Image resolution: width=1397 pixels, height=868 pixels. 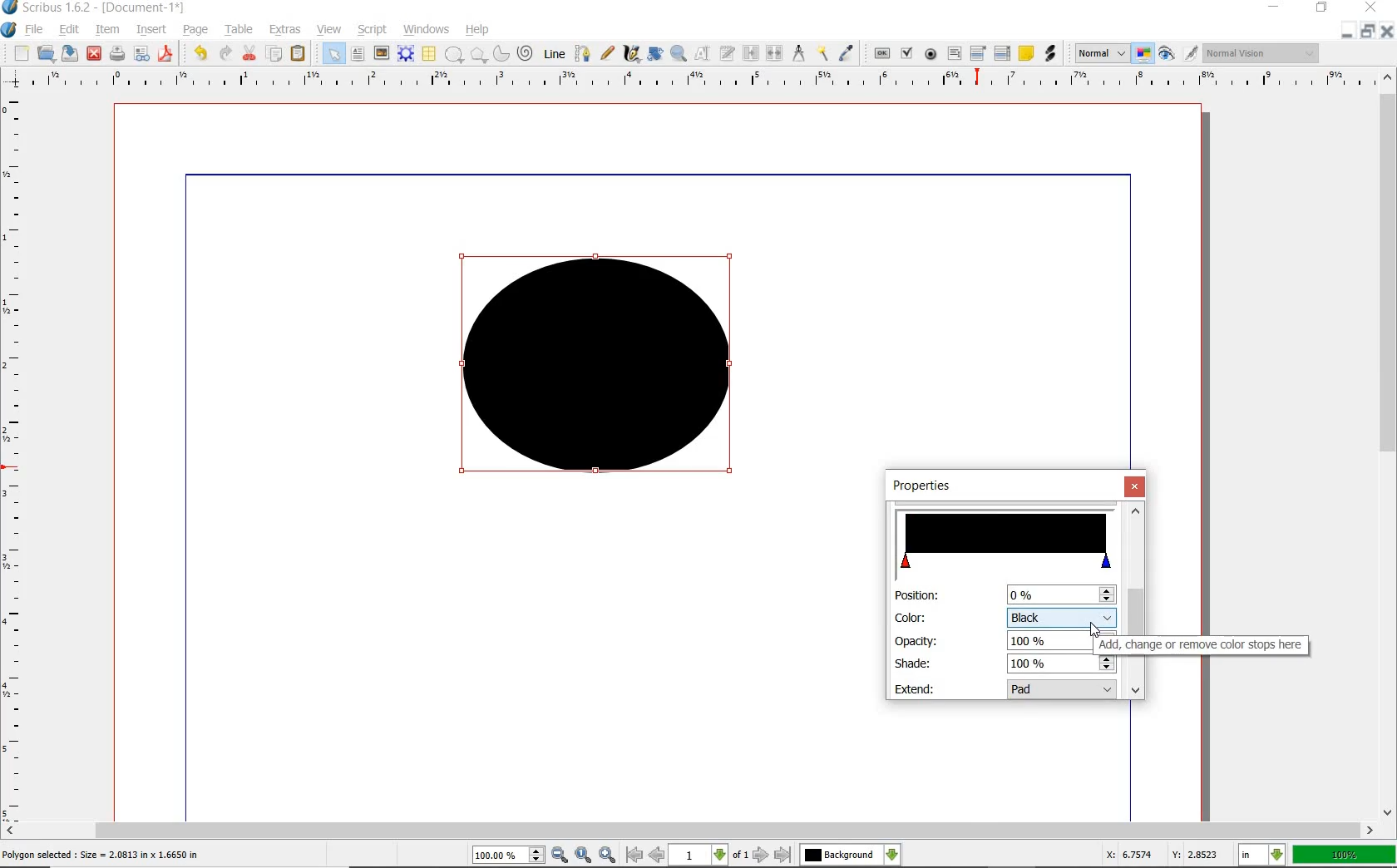 I want to click on LINE, so click(x=555, y=54).